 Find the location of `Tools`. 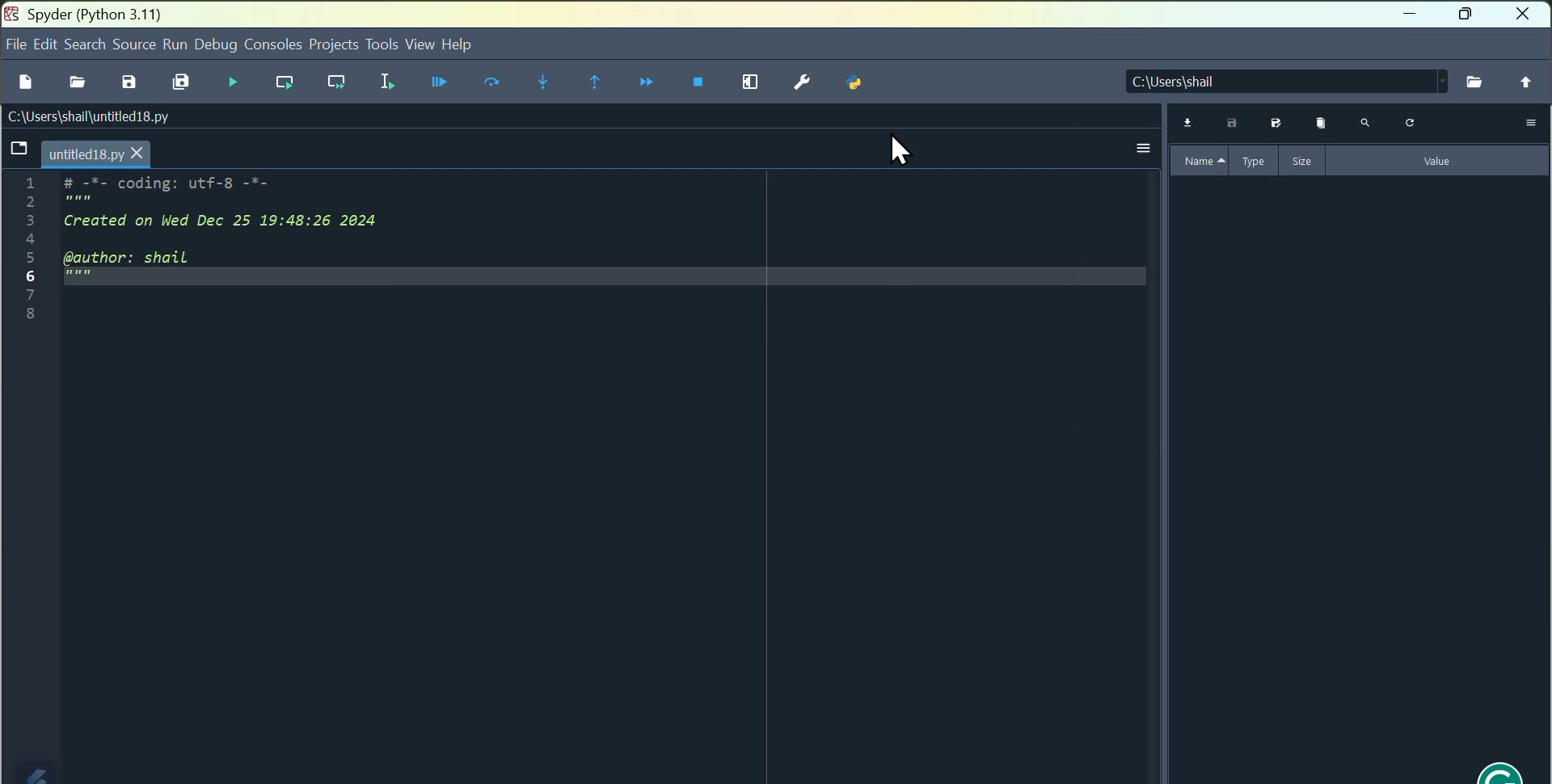

Tools is located at coordinates (381, 44).